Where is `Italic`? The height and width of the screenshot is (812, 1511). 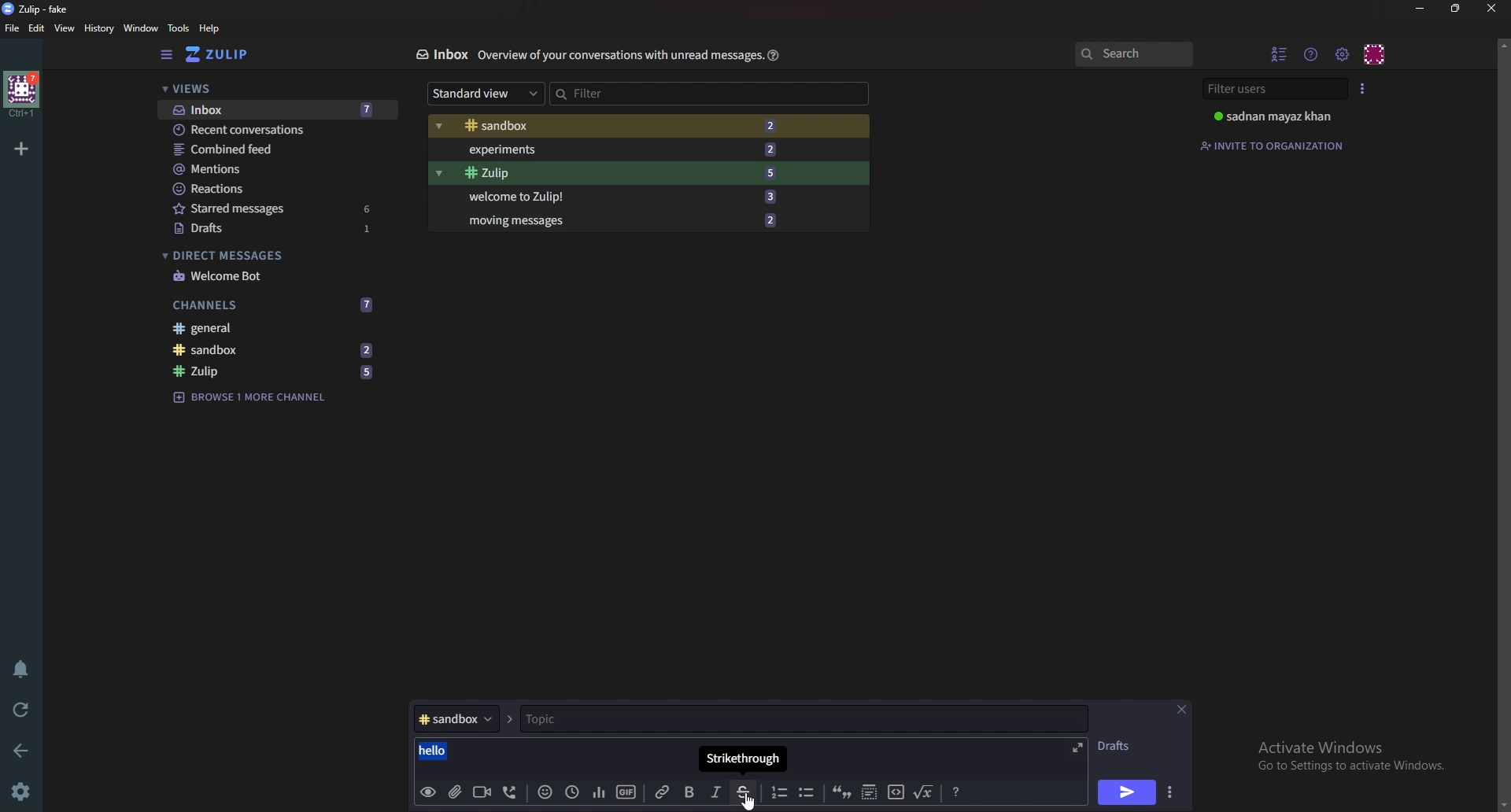
Italic is located at coordinates (714, 796).